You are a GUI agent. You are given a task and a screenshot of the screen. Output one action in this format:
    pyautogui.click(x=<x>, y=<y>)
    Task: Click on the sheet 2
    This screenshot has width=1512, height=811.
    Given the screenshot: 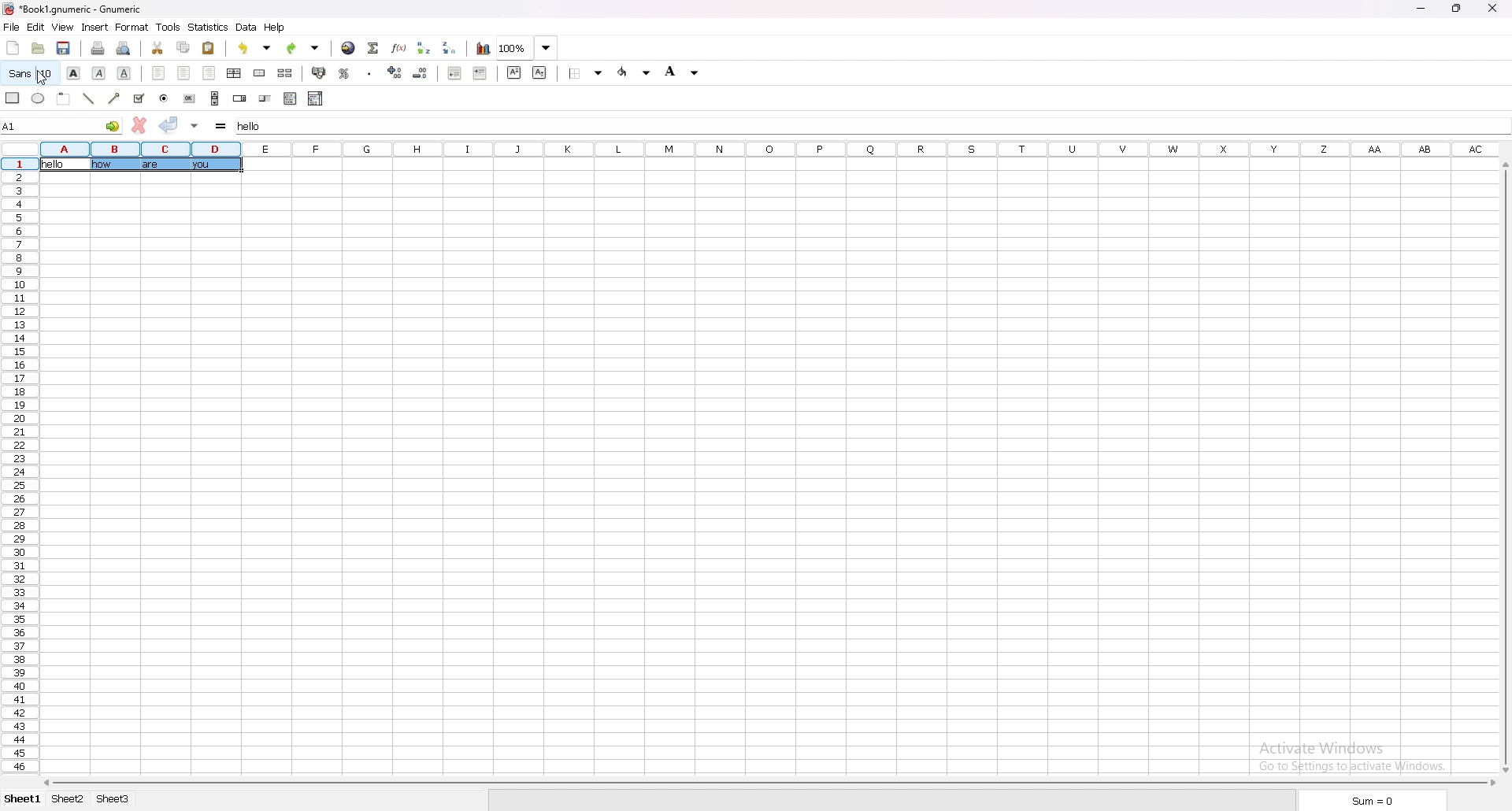 What is the action you would take?
    pyautogui.click(x=69, y=799)
    